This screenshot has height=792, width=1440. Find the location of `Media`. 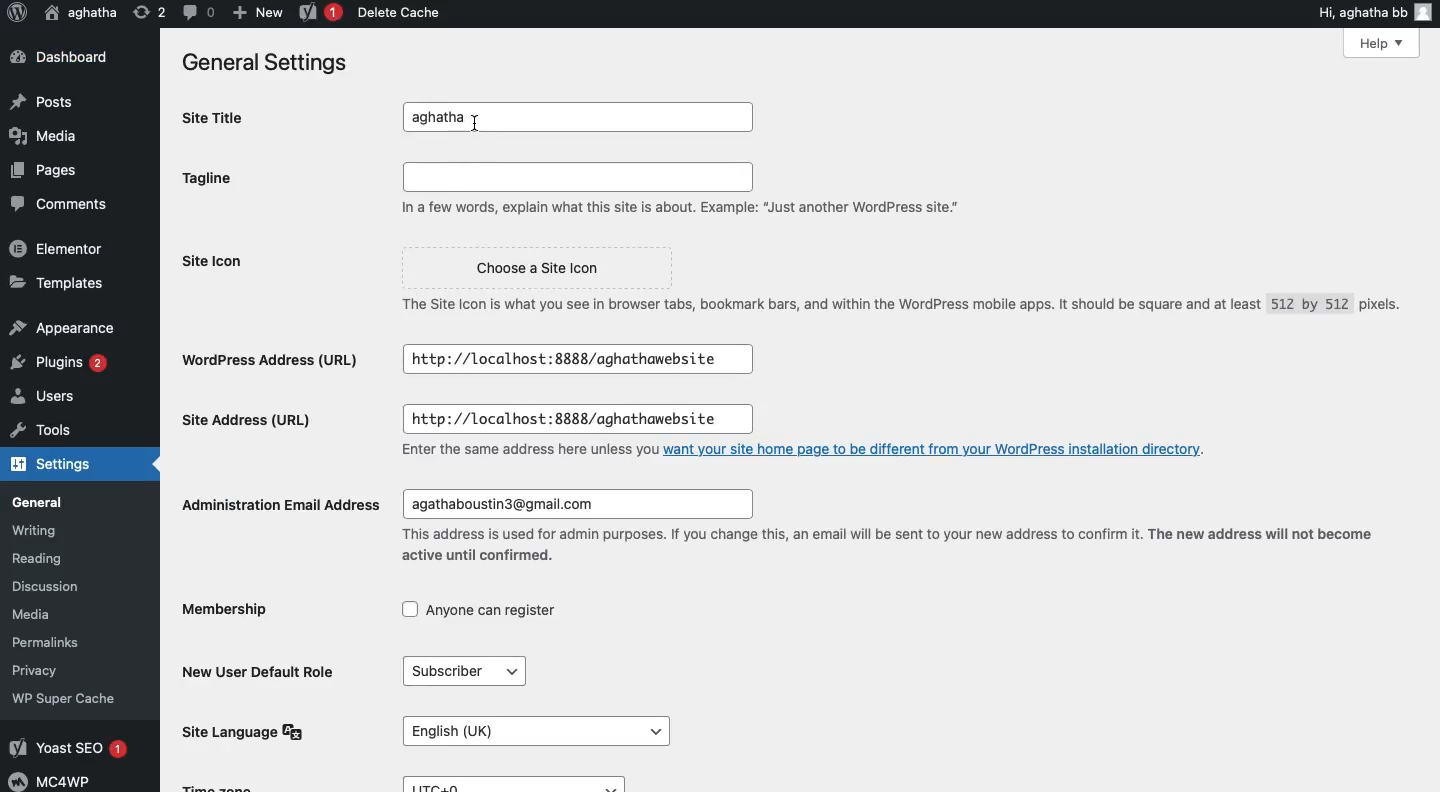

Media is located at coordinates (41, 134).